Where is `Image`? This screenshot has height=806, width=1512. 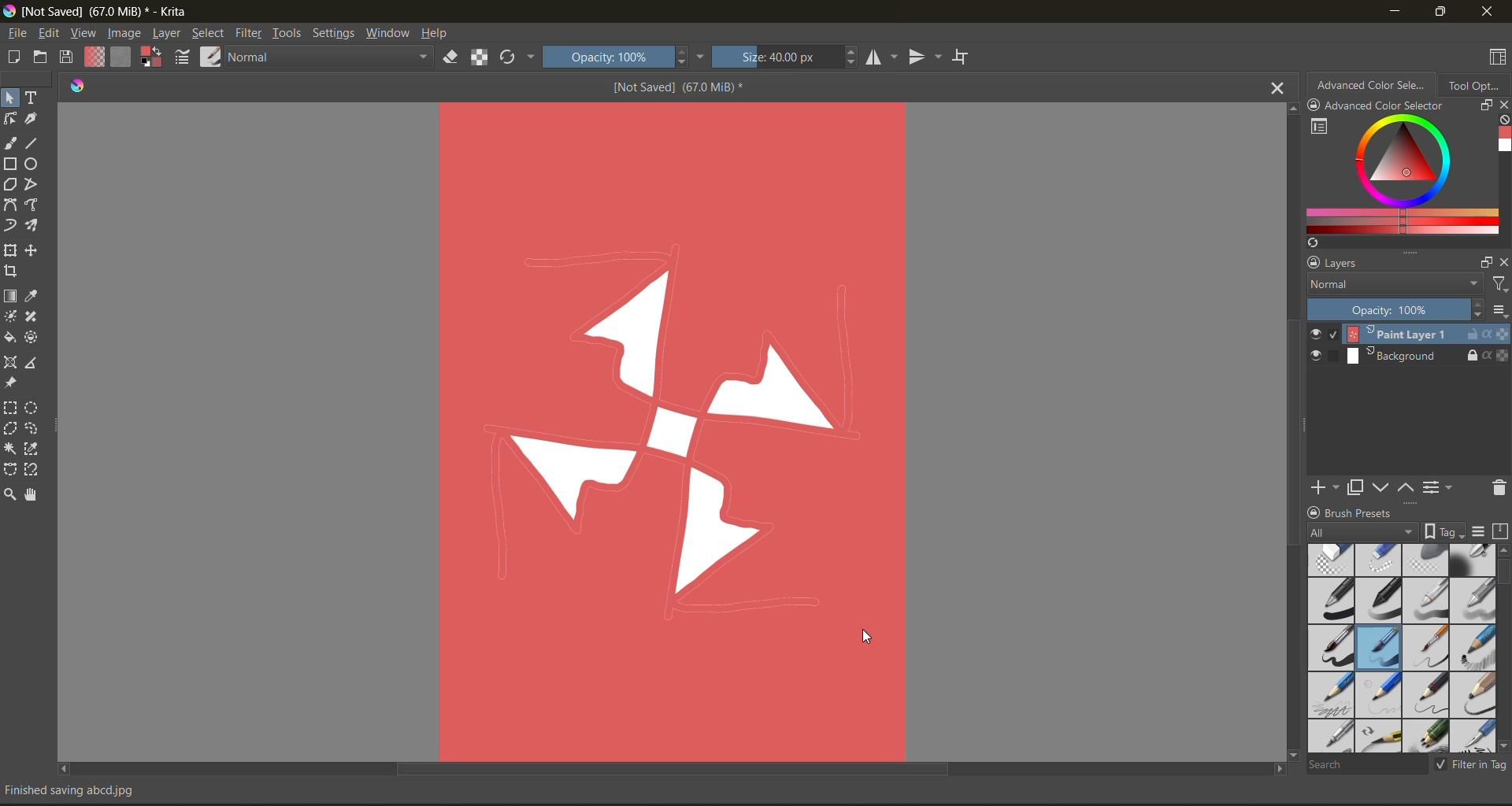 Image is located at coordinates (673, 426).